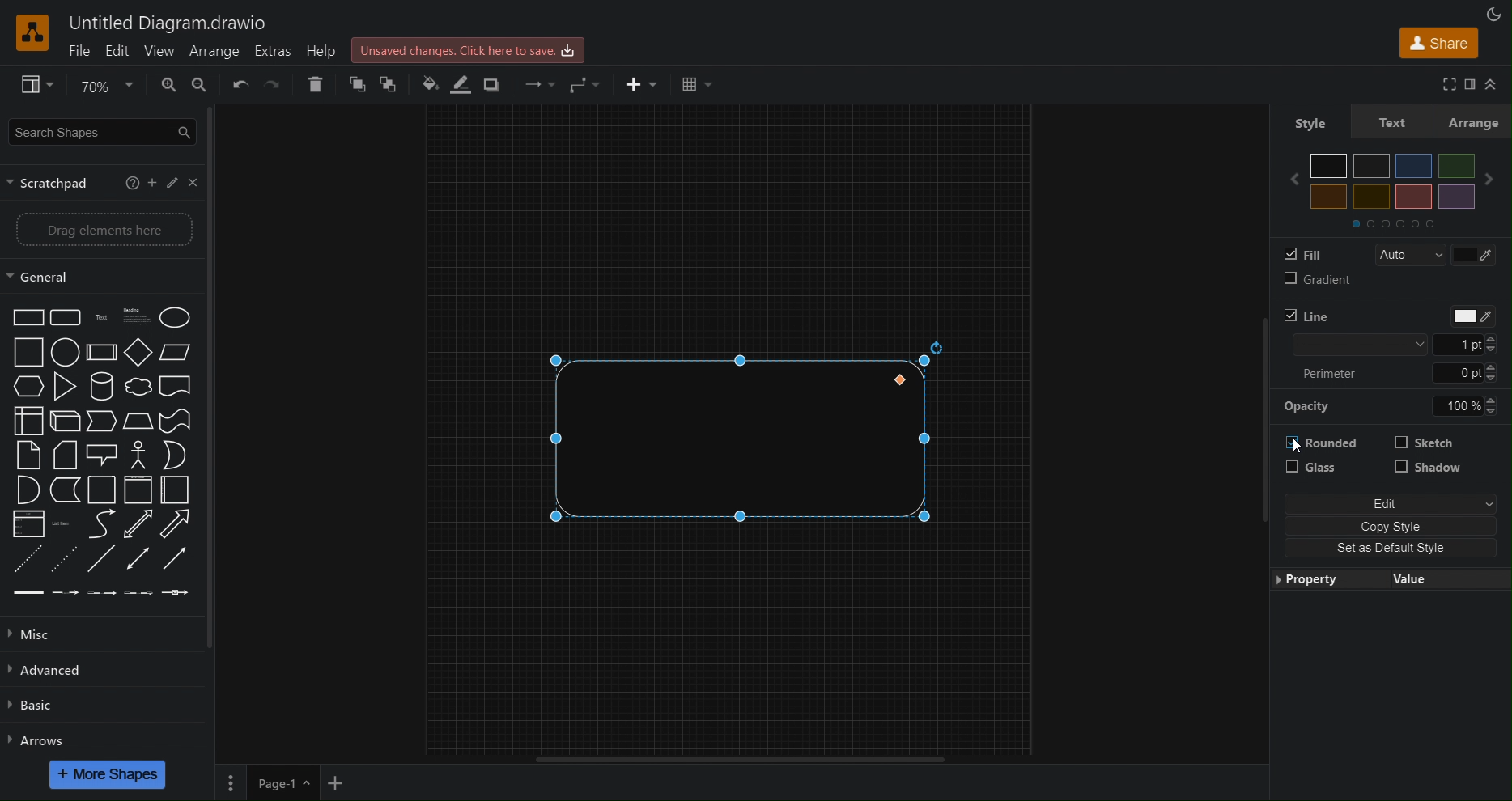  Describe the element at coordinates (98, 458) in the screenshot. I see `Shapes Menu` at that location.